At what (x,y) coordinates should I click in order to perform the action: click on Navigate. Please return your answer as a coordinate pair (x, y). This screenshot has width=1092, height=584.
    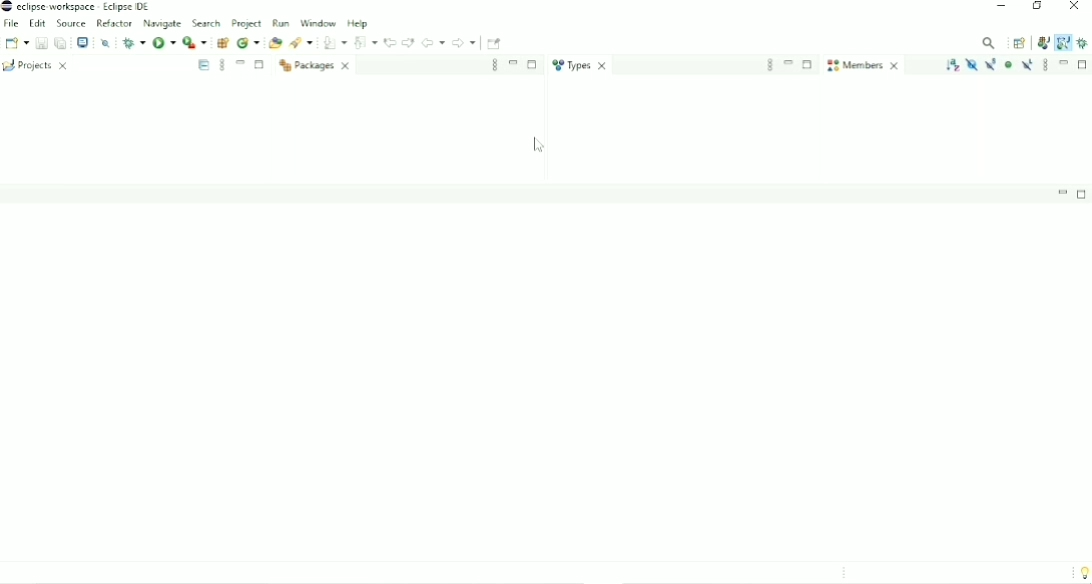
    Looking at the image, I should click on (163, 24).